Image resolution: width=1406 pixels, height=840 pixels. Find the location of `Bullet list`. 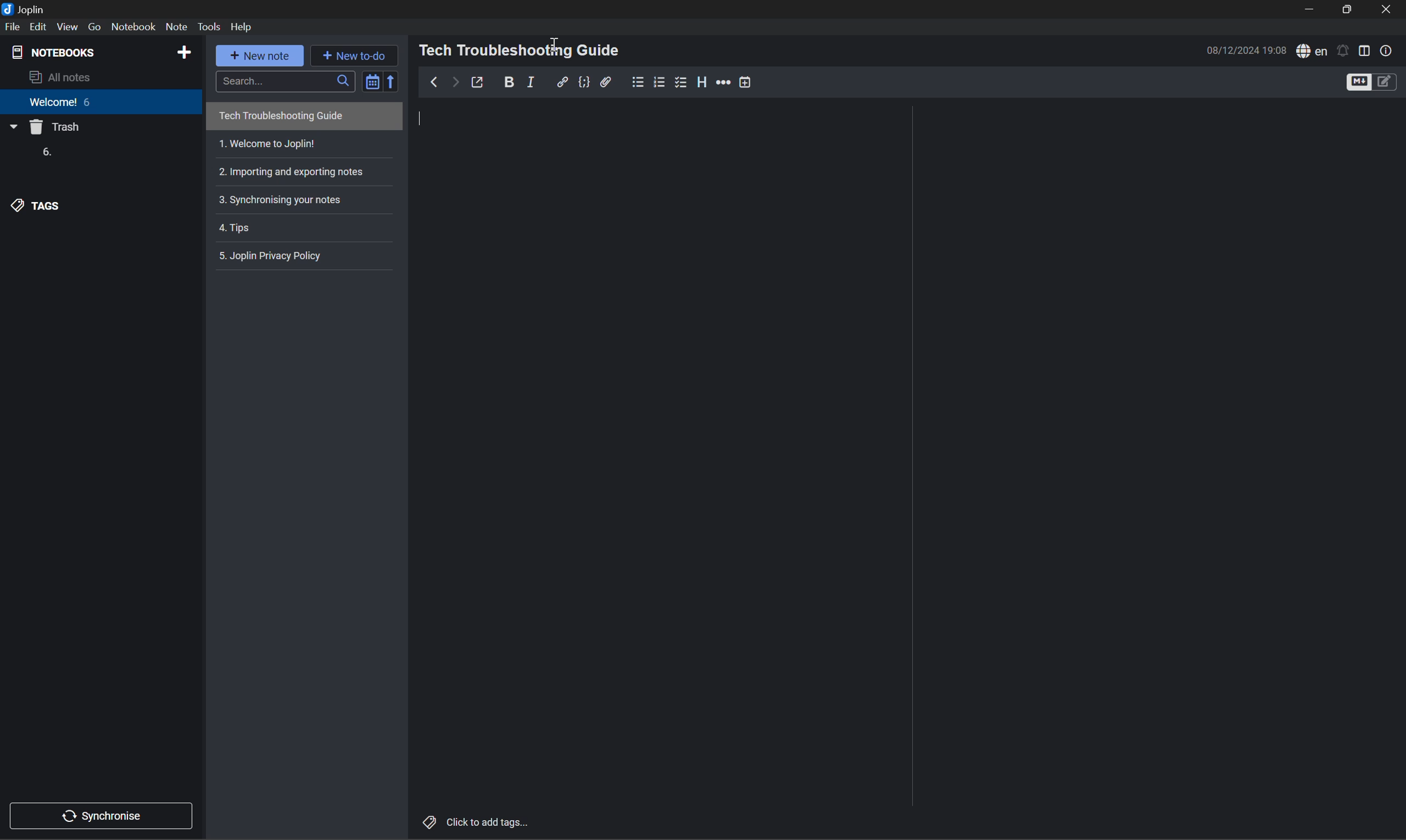

Bullet list is located at coordinates (638, 80).